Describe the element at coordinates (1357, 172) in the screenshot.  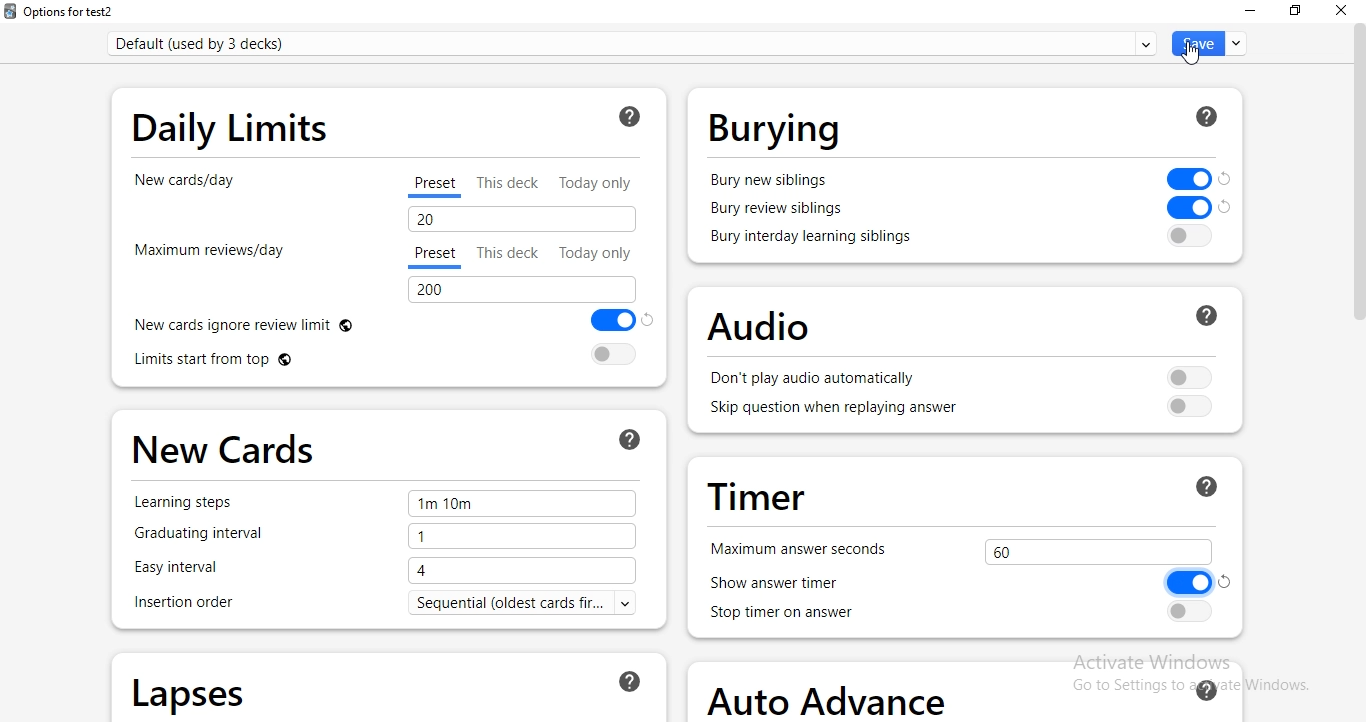
I see `scroll bar` at that location.